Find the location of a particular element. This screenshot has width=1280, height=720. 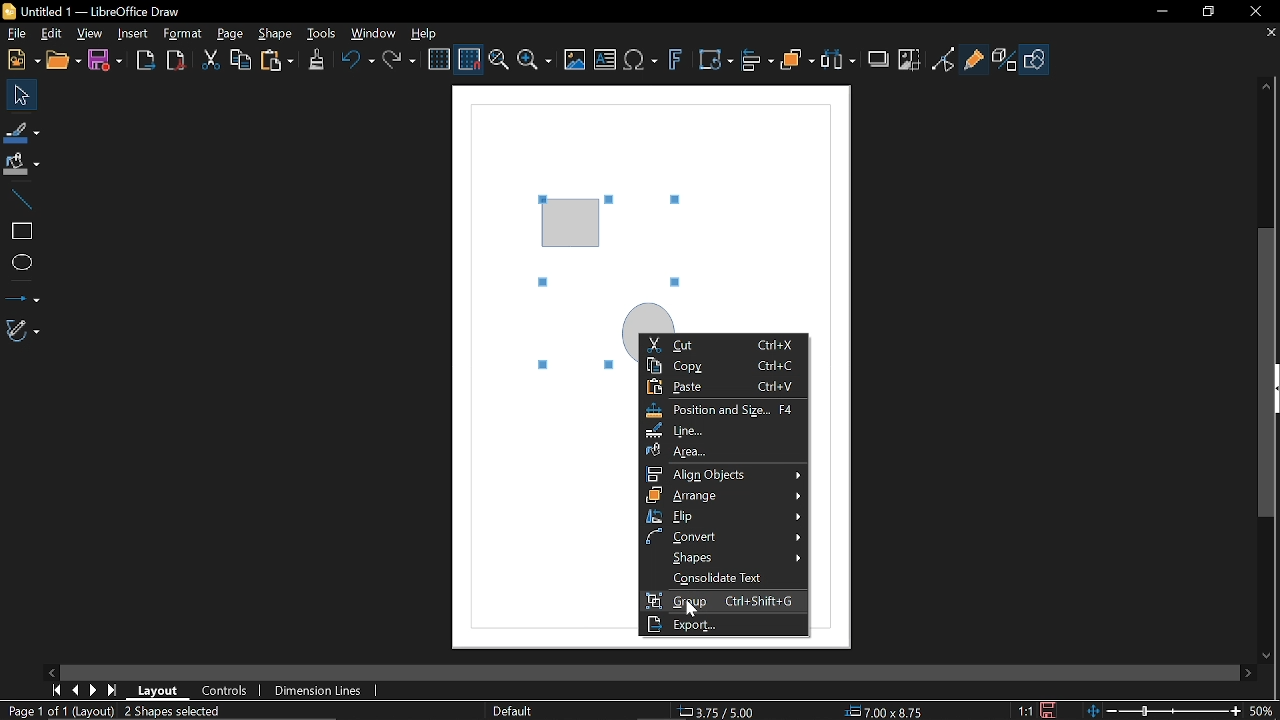

Move down is located at coordinates (1267, 657).